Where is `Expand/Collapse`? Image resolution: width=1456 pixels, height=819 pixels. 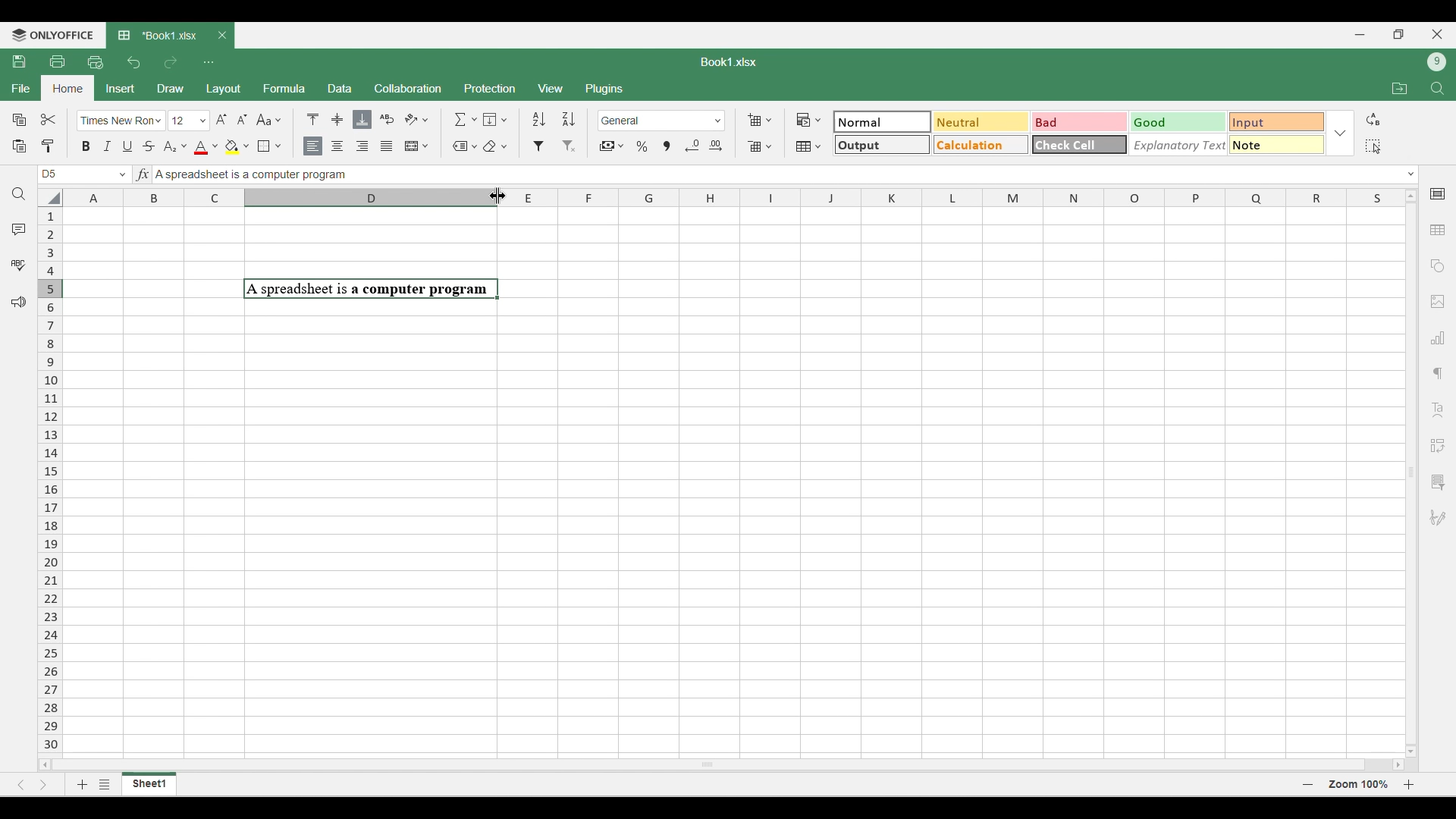 Expand/Collapse is located at coordinates (1340, 133).